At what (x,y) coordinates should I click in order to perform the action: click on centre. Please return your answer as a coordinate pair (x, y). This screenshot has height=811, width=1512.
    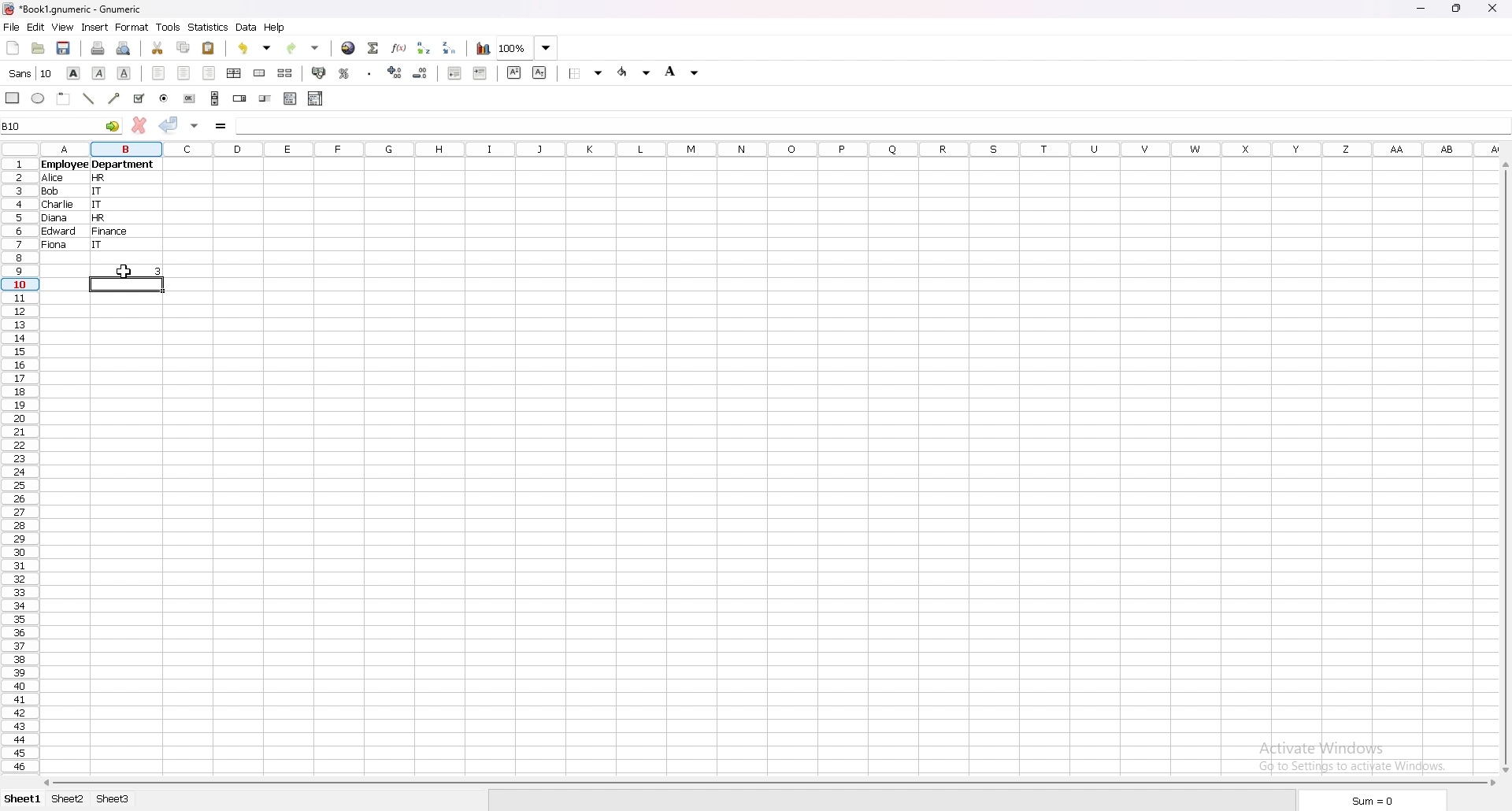
    Looking at the image, I should click on (184, 72).